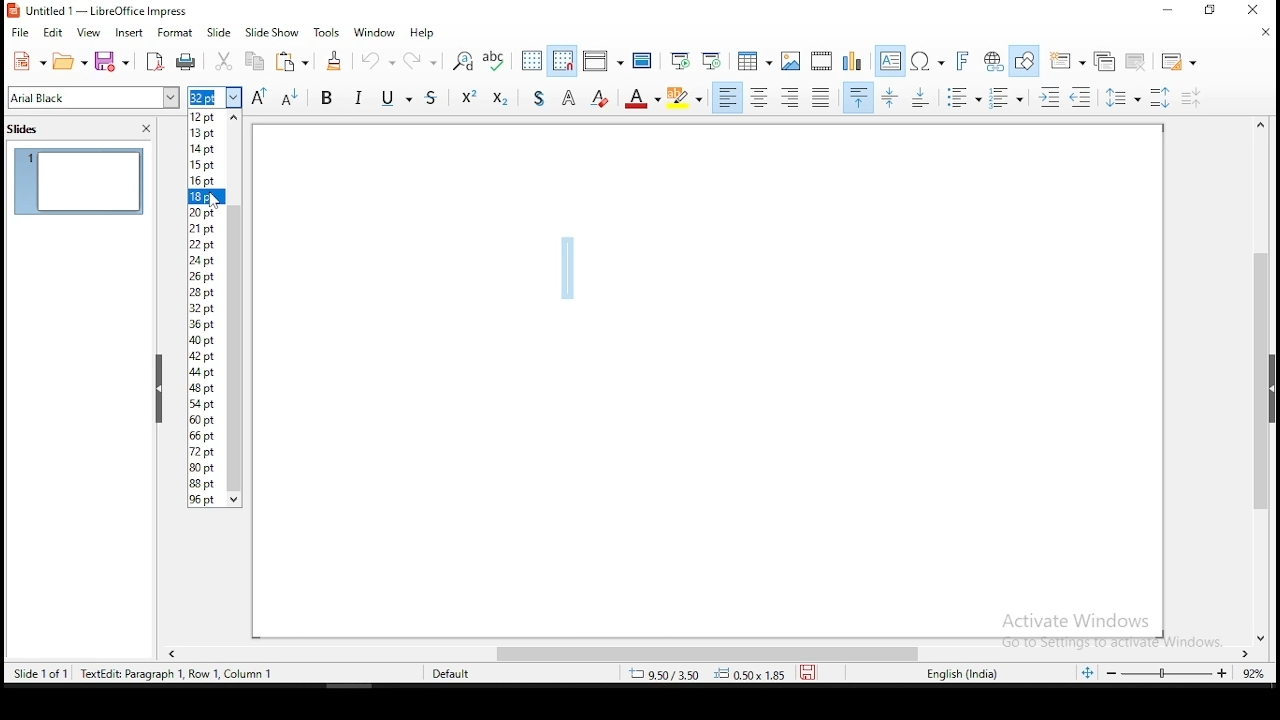  What do you see at coordinates (891, 61) in the screenshot?
I see `text box` at bounding box center [891, 61].